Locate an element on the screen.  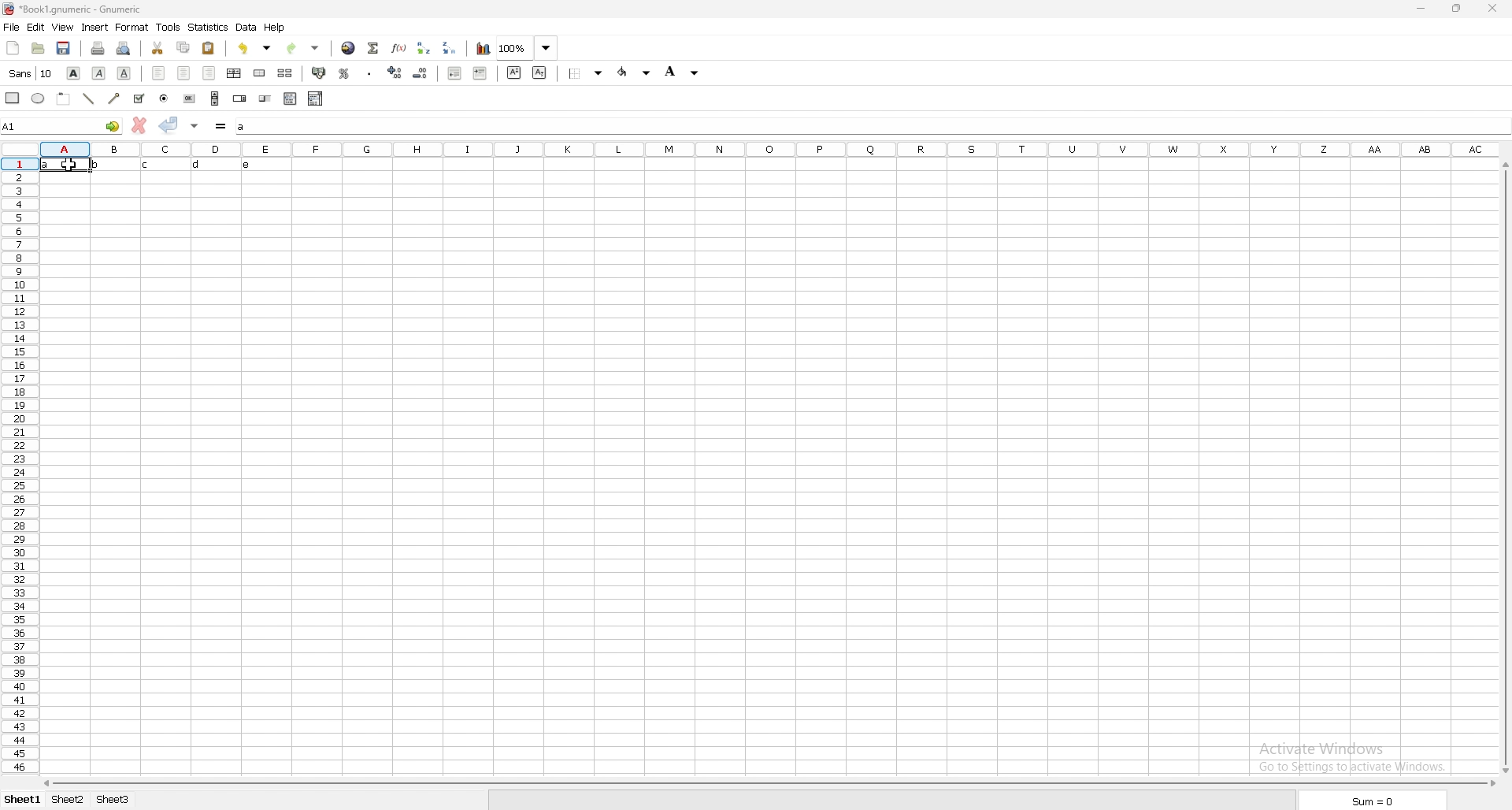
decrease decimals is located at coordinates (421, 73).